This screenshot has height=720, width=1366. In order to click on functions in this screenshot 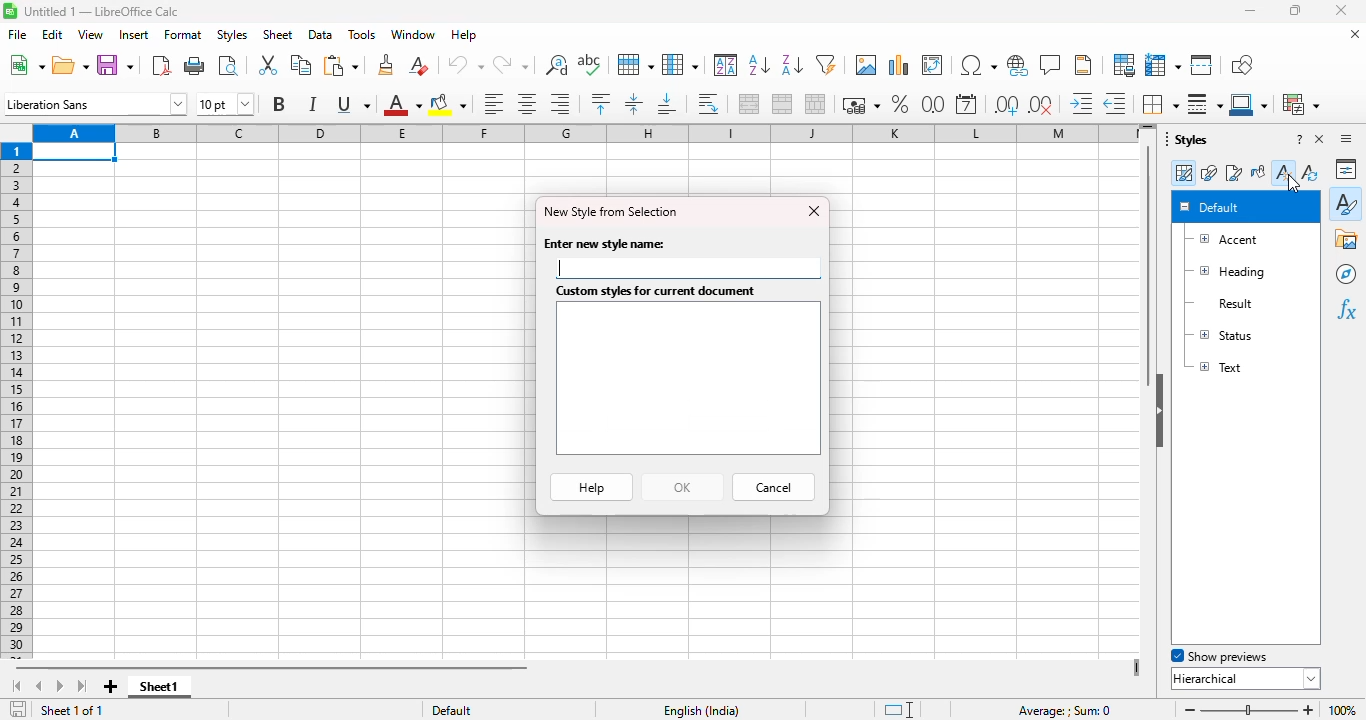, I will do `click(1346, 310)`.